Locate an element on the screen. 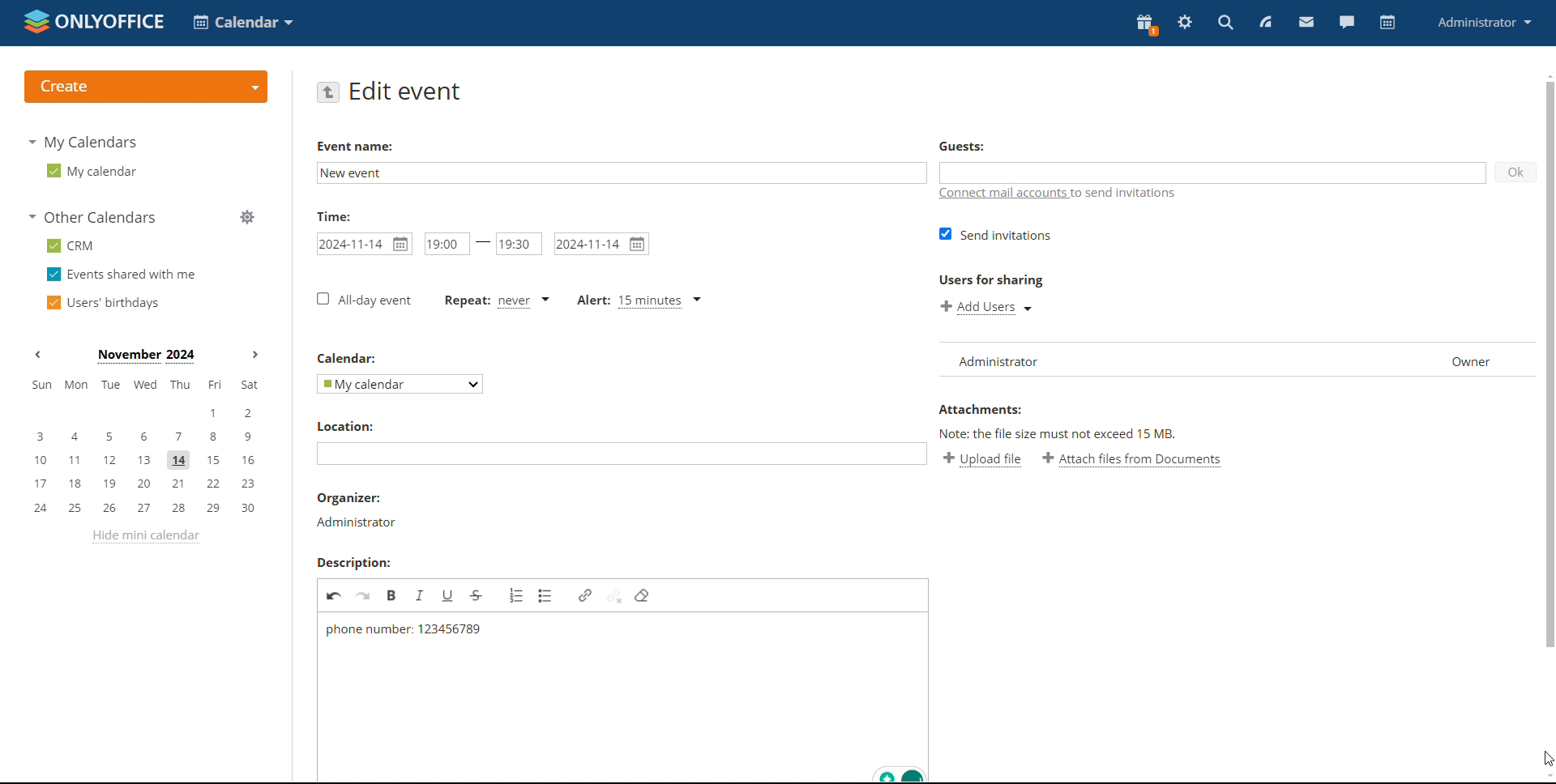 The image size is (1556, 784). redo is located at coordinates (362, 594).